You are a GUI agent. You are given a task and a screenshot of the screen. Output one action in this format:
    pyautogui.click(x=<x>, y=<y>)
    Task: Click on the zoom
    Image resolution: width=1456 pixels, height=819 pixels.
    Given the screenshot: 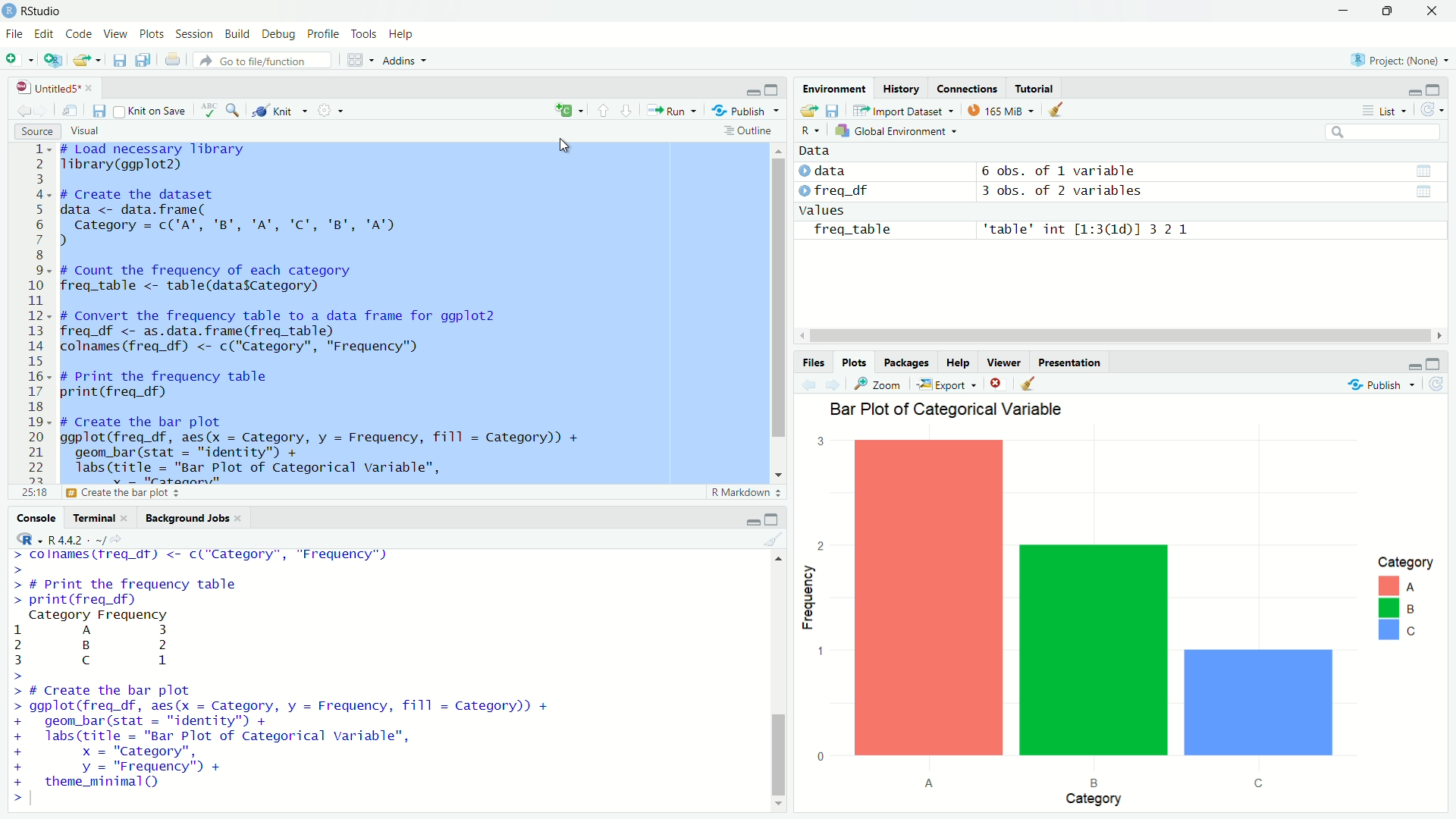 What is the action you would take?
    pyautogui.click(x=879, y=384)
    